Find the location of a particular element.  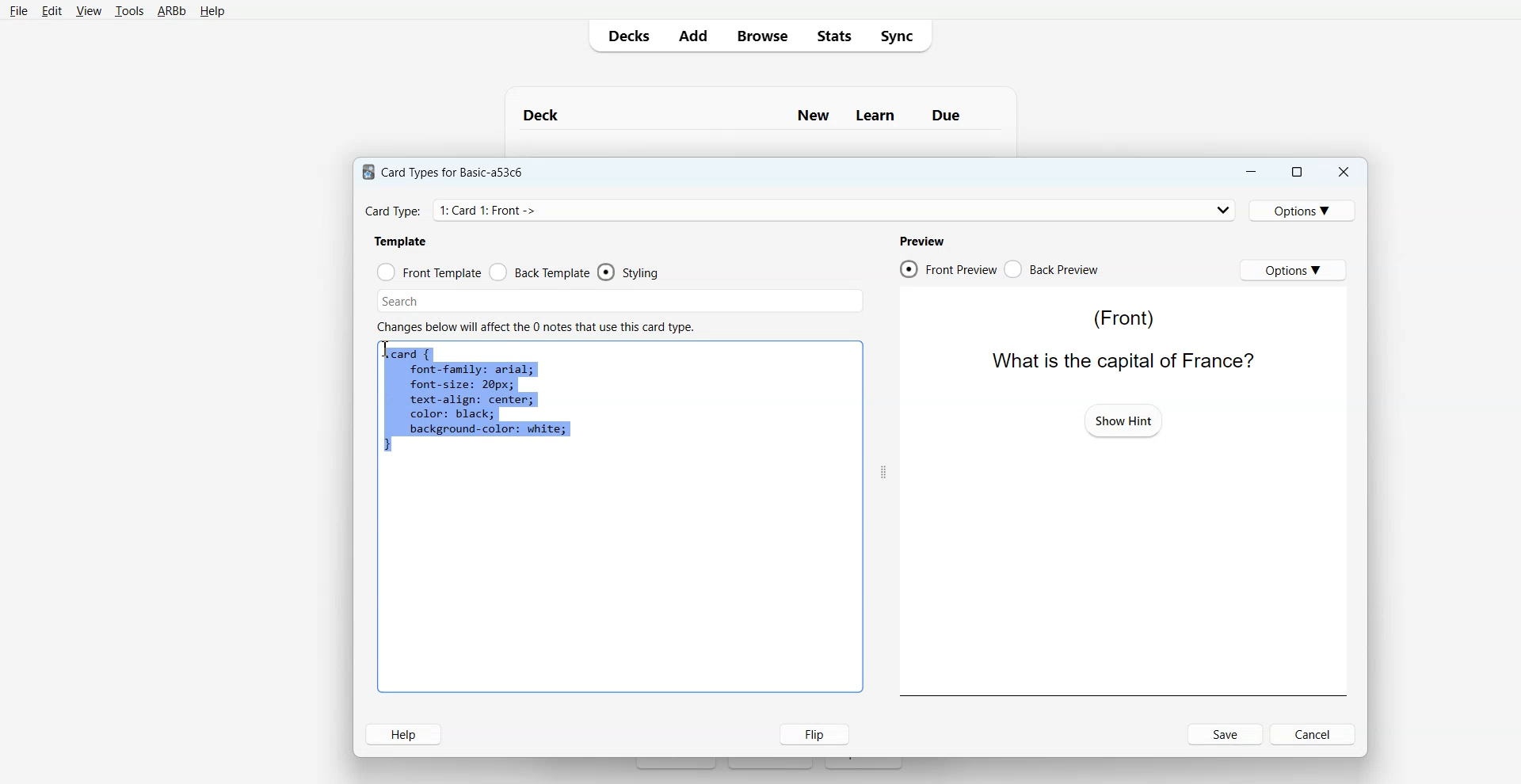

Save is located at coordinates (1226, 734).